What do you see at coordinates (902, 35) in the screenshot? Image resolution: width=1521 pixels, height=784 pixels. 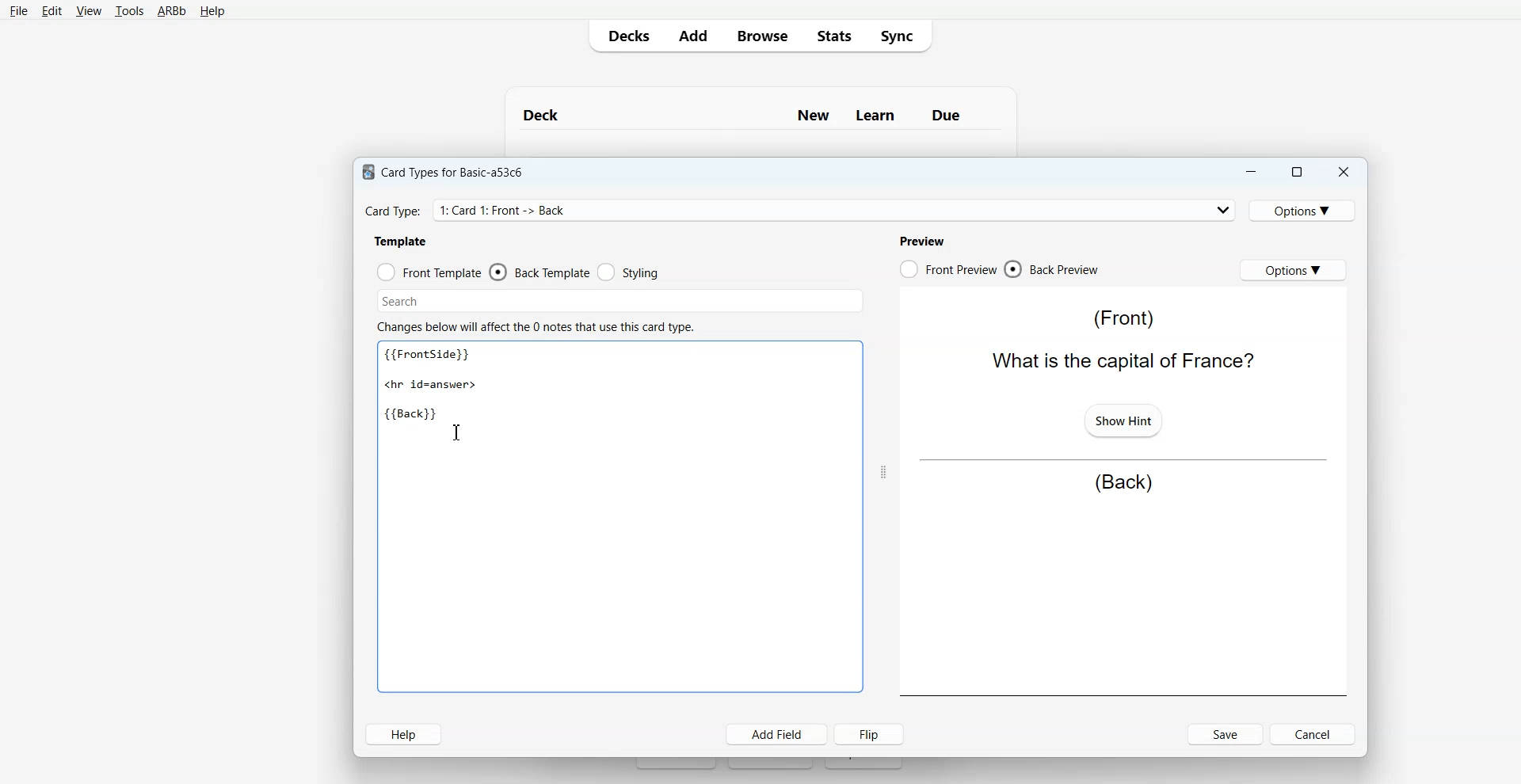 I see `Sync` at bounding box center [902, 35].